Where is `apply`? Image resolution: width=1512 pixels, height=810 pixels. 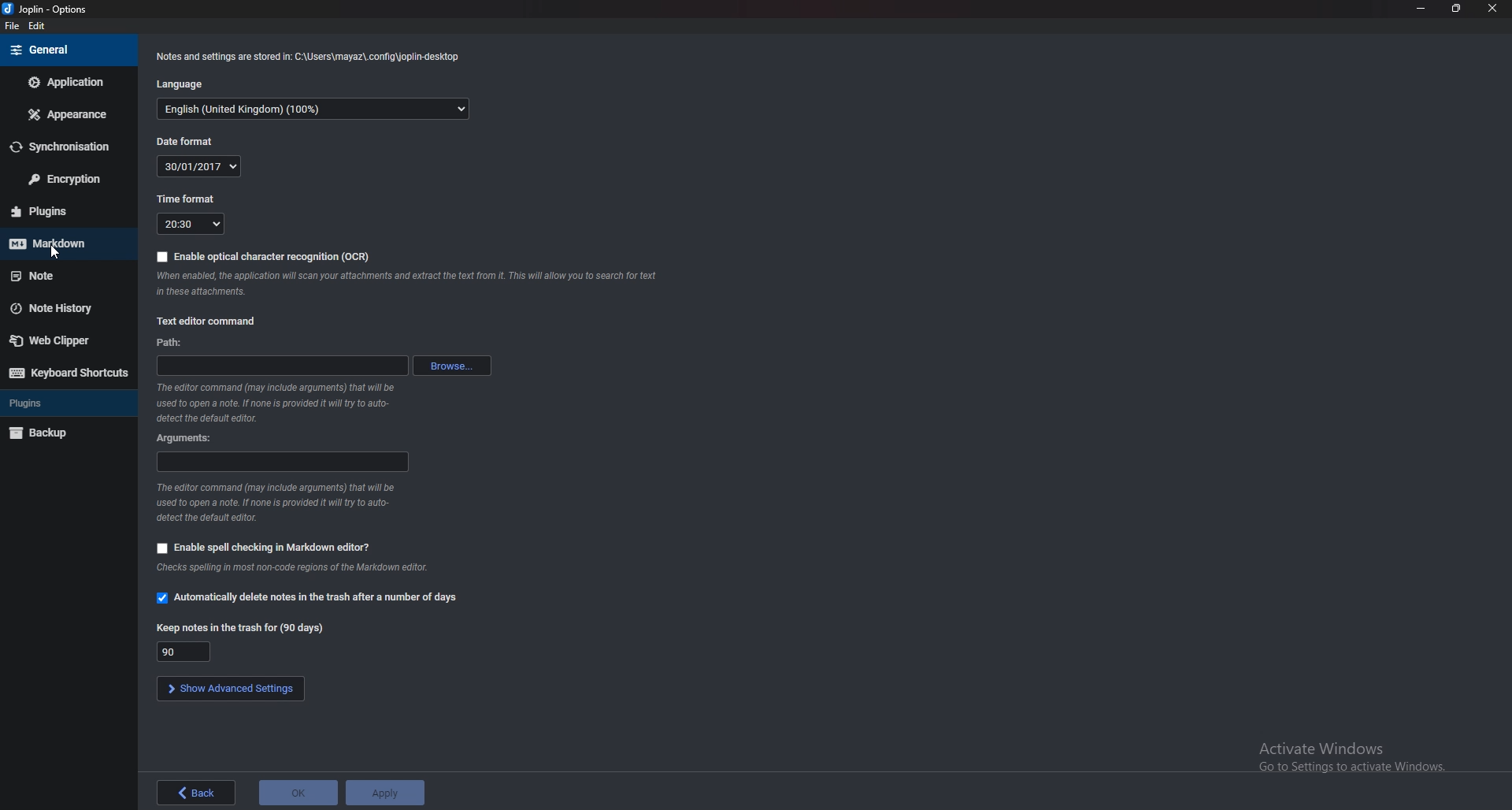
apply is located at coordinates (387, 793).